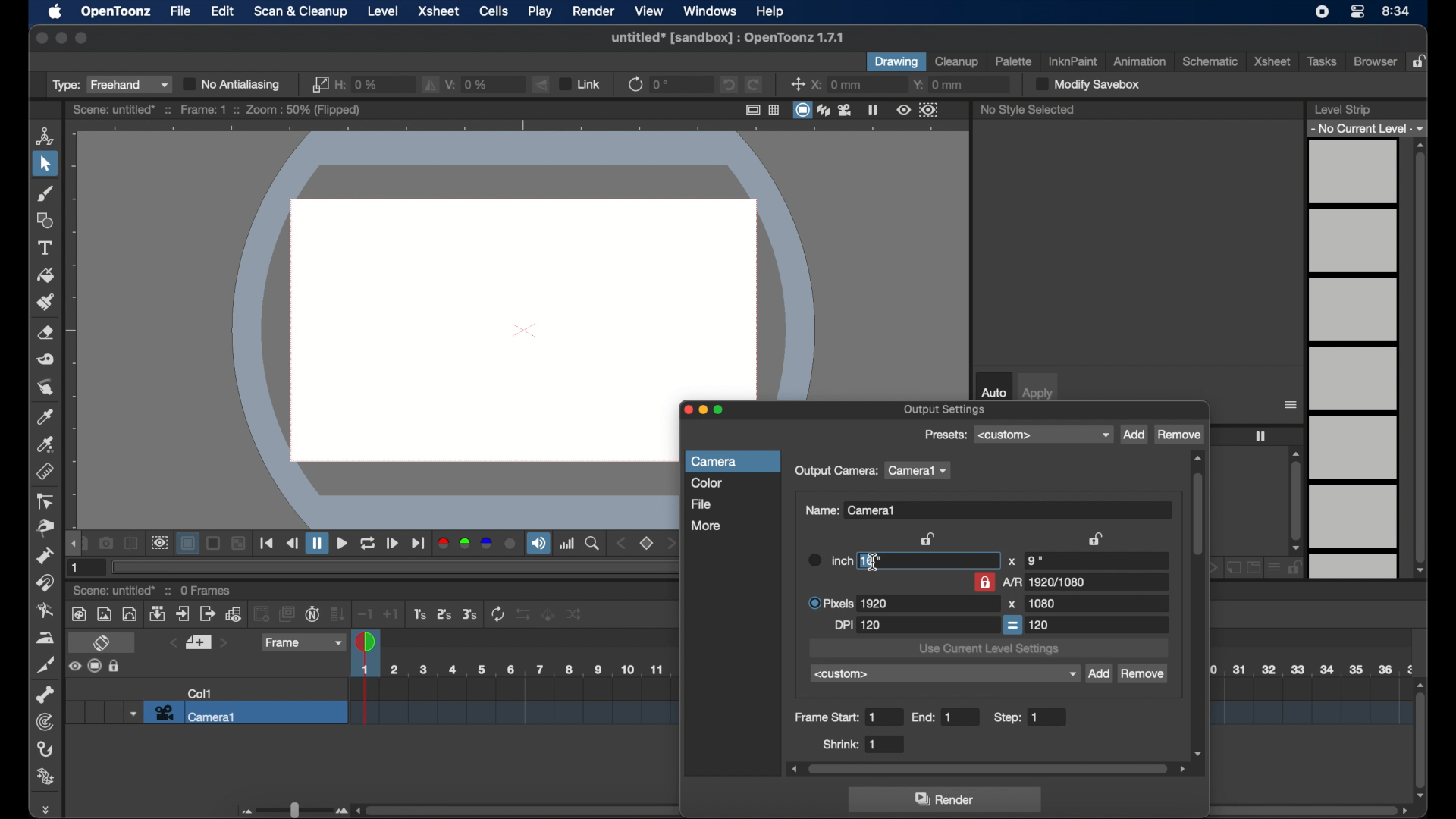 The image size is (1456, 819). I want to click on , so click(262, 613).